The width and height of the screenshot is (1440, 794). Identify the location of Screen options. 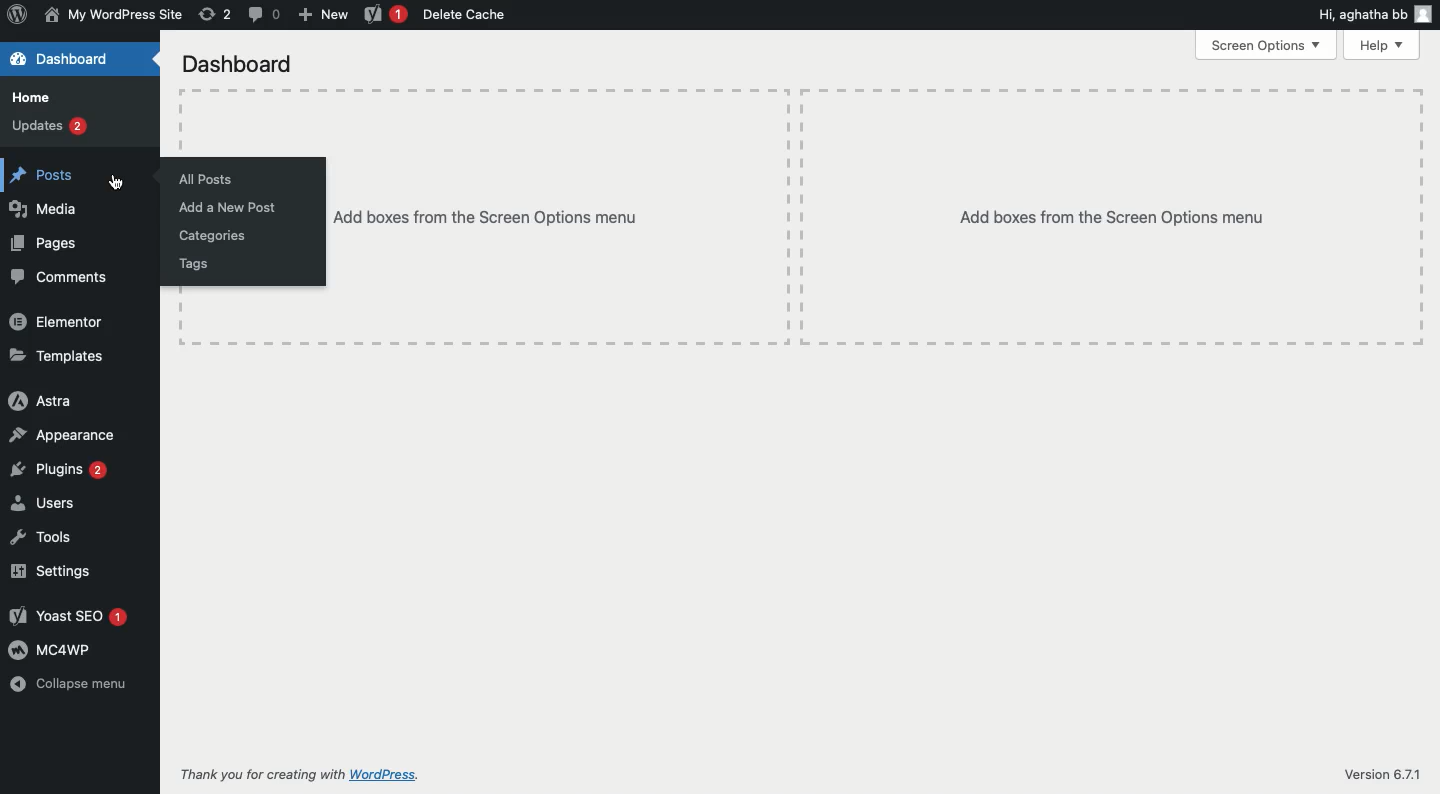
(1265, 46).